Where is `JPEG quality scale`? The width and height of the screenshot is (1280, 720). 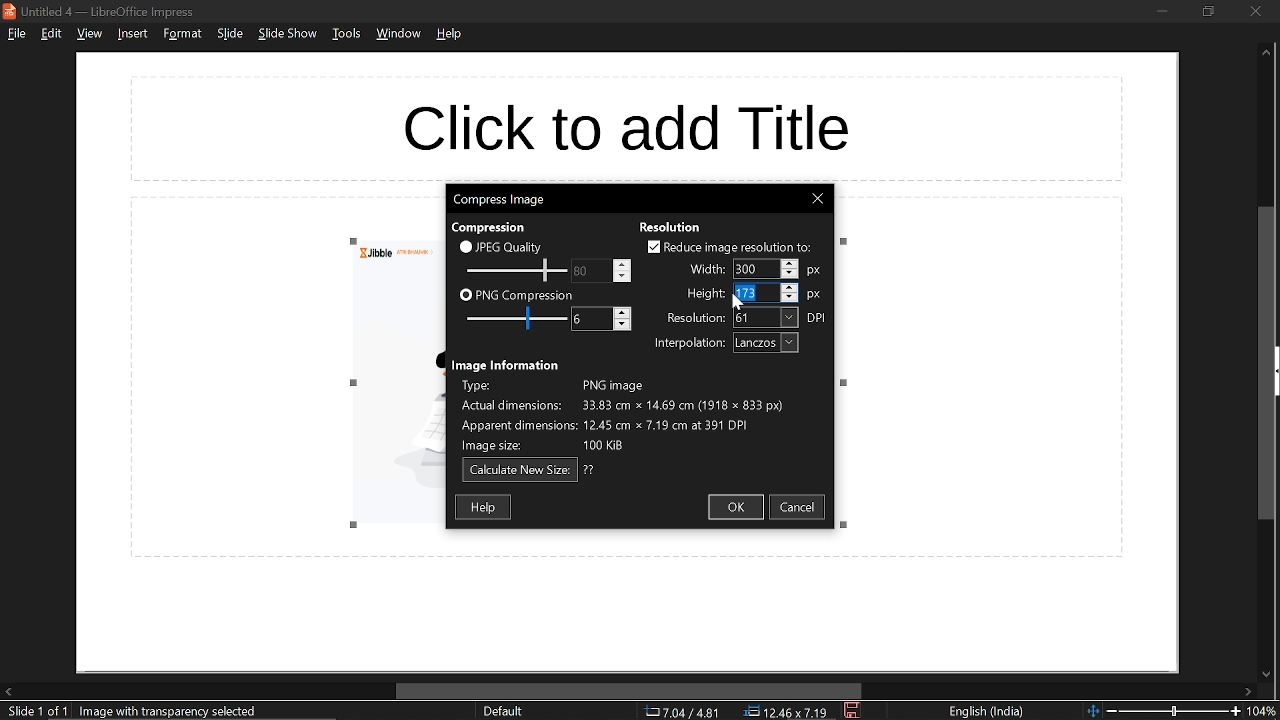
JPEG quality scale is located at coordinates (517, 269).